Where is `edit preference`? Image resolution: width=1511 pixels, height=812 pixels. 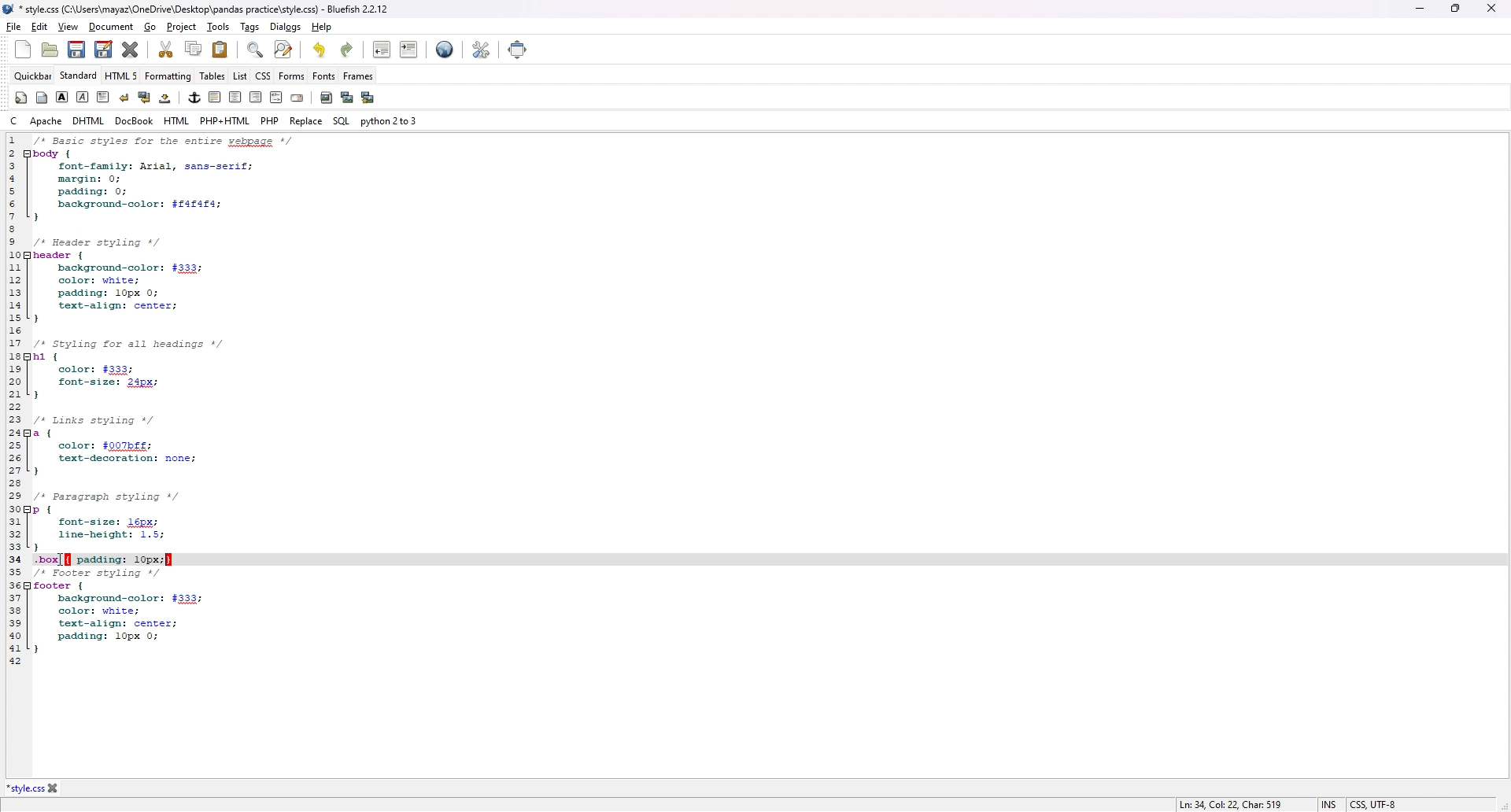 edit preference is located at coordinates (482, 50).